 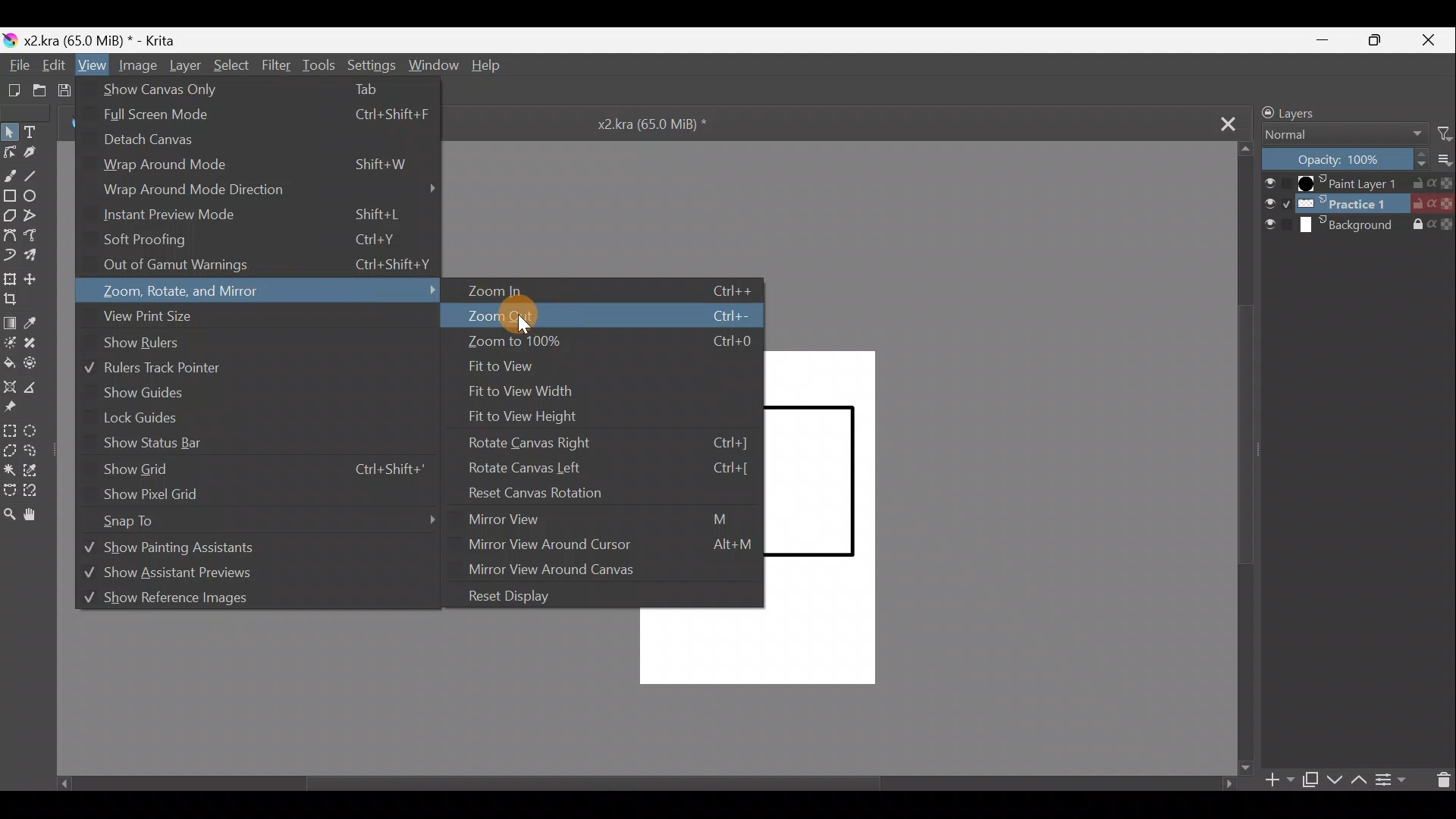 I want to click on Polygon tool, so click(x=10, y=214).